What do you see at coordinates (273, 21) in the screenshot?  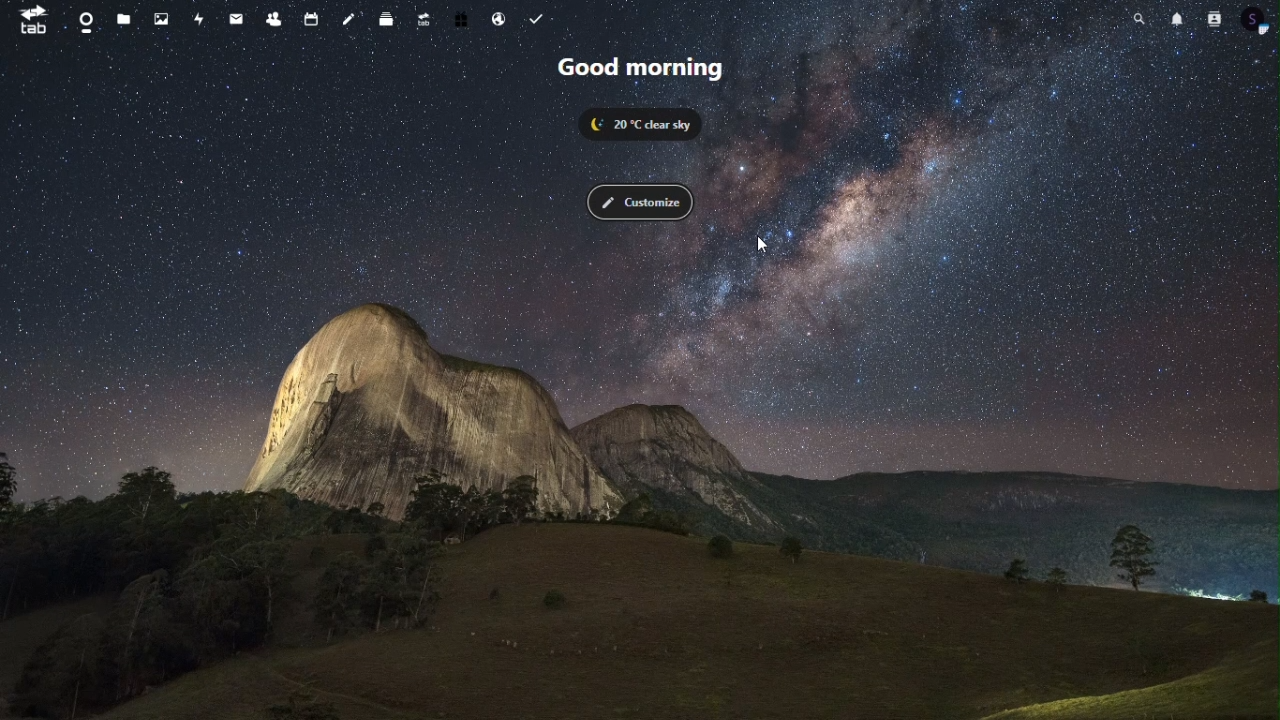 I see `contacts` at bounding box center [273, 21].